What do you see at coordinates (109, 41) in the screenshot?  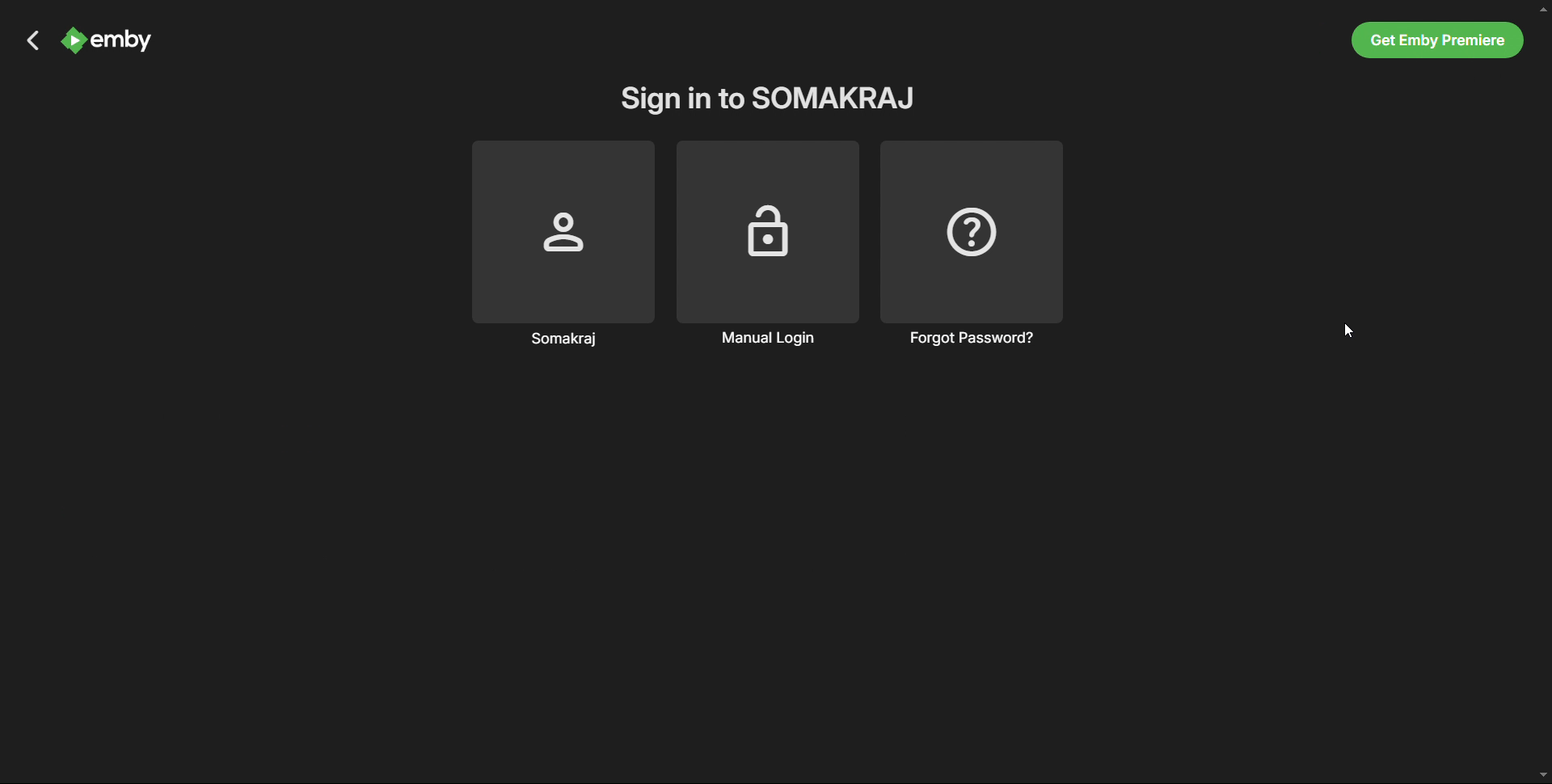 I see `logo` at bounding box center [109, 41].